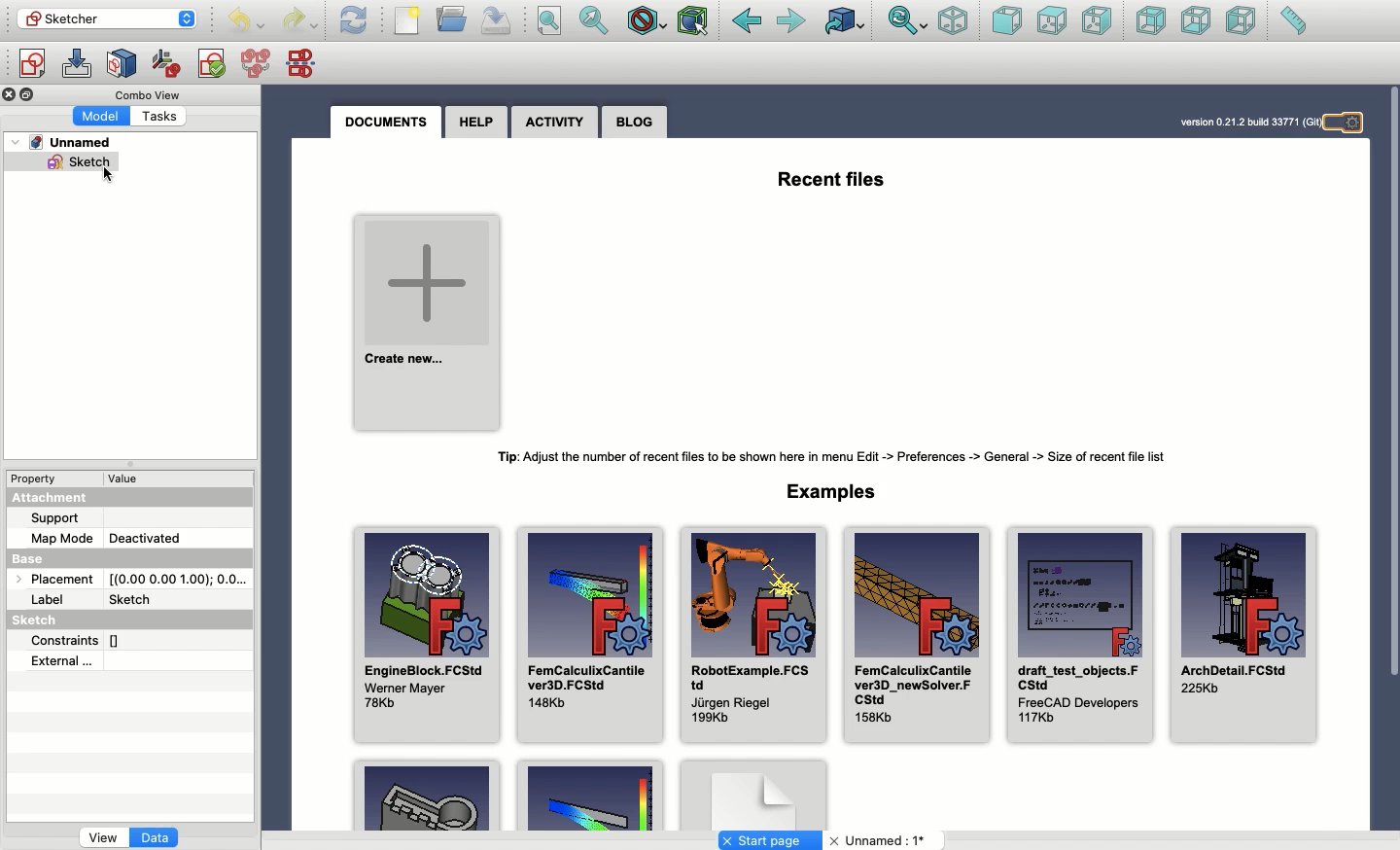 The height and width of the screenshot is (850, 1400). What do you see at coordinates (54, 499) in the screenshot?
I see `Attachment` at bounding box center [54, 499].